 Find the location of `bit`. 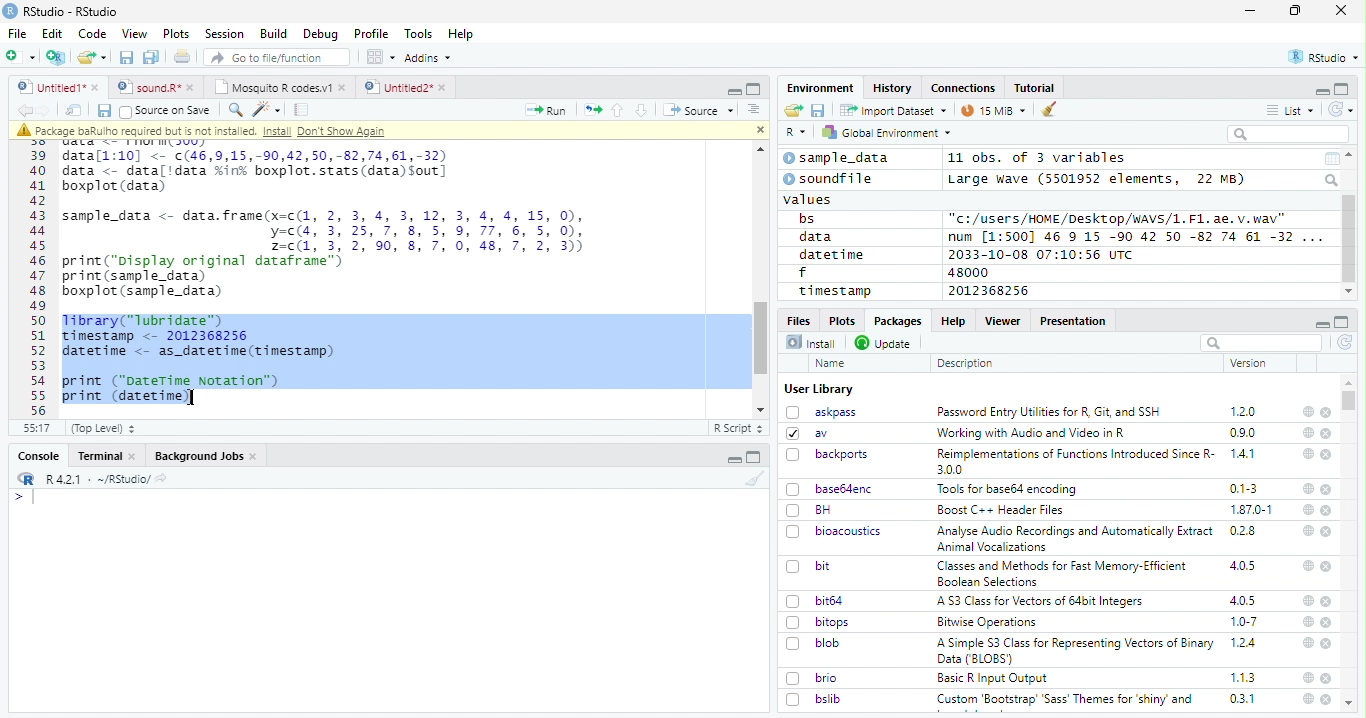

bit is located at coordinates (809, 567).